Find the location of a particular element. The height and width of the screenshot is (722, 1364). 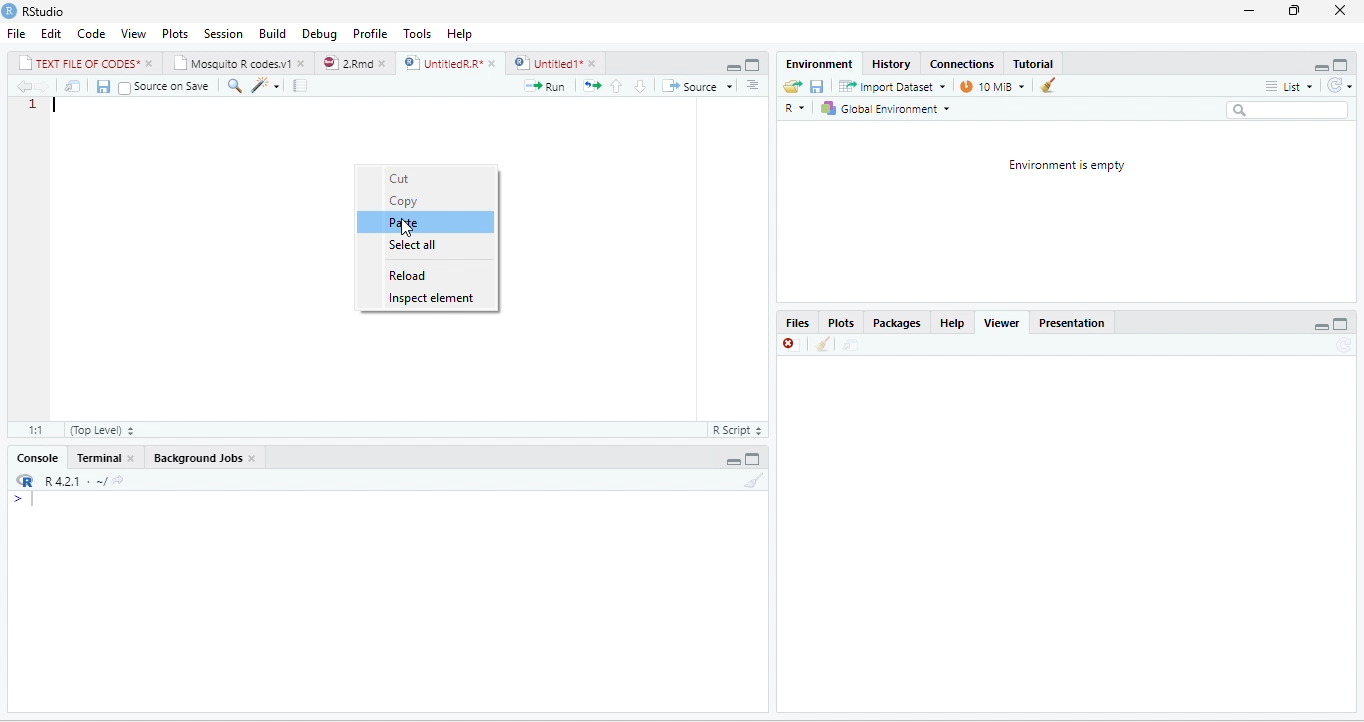

reload is located at coordinates (407, 275).